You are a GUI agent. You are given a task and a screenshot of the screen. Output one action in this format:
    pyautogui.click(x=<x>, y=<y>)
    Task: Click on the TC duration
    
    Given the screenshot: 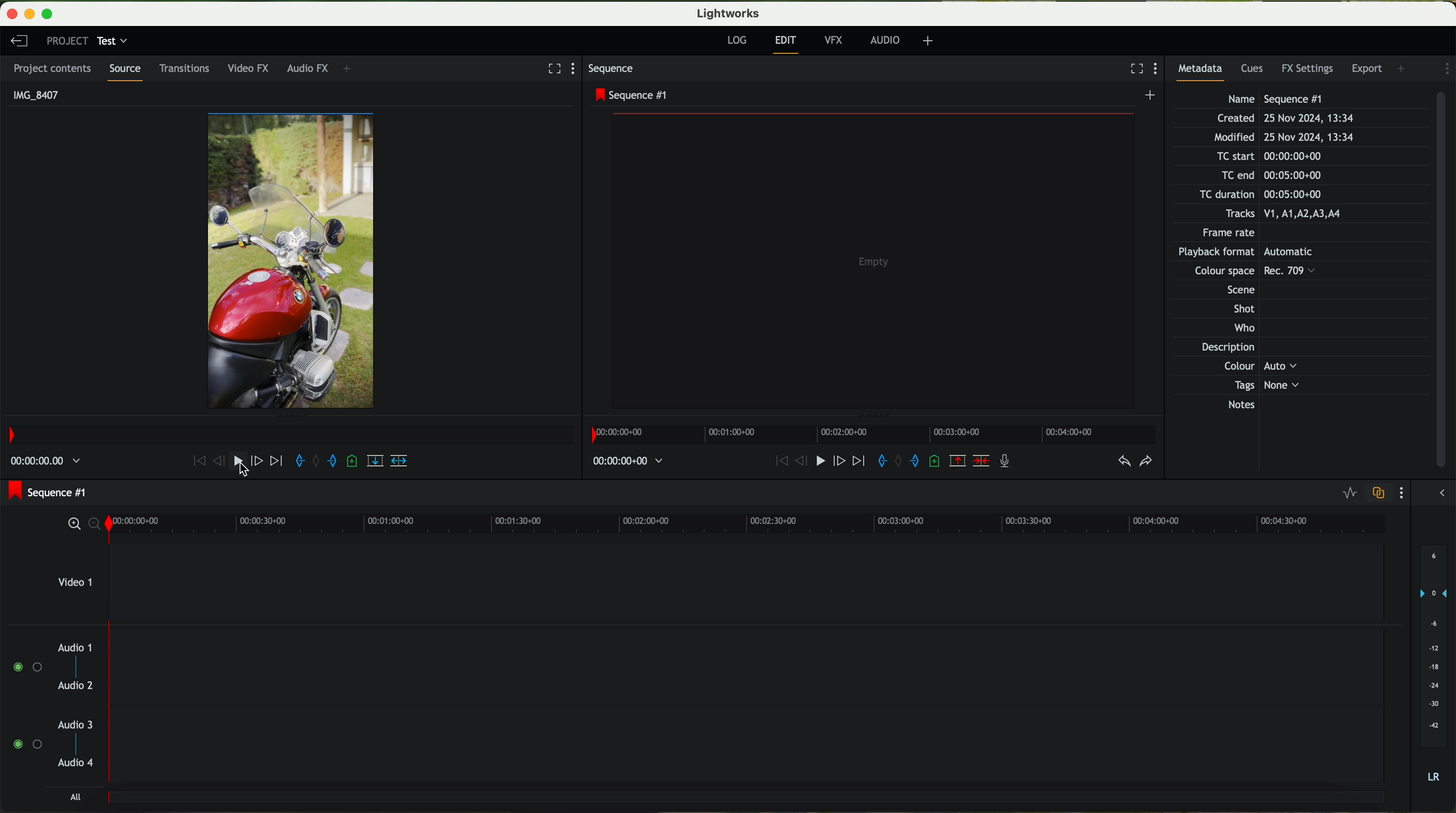 What is the action you would take?
    pyautogui.click(x=1254, y=196)
    